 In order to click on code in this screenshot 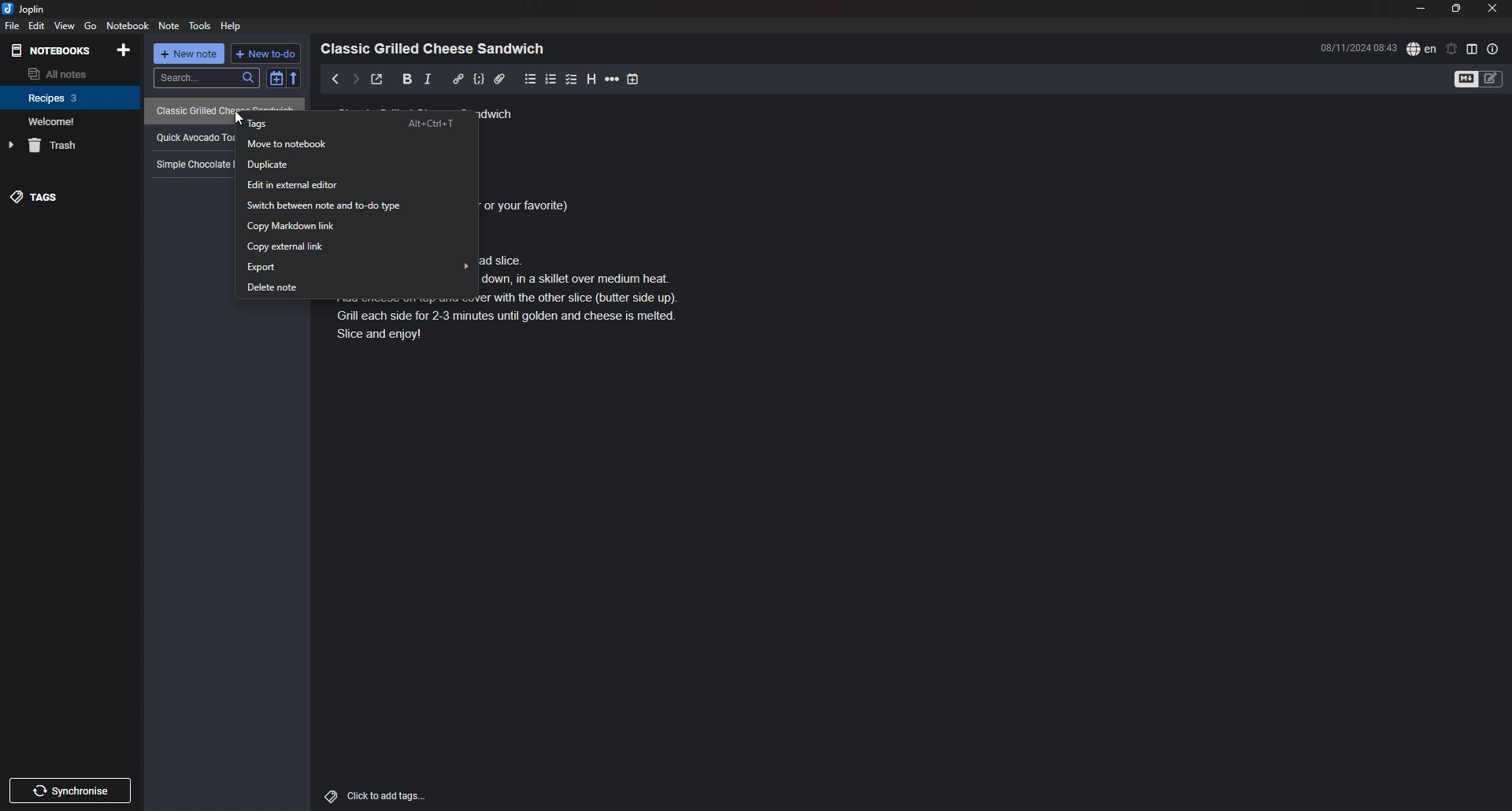, I will do `click(478, 79)`.